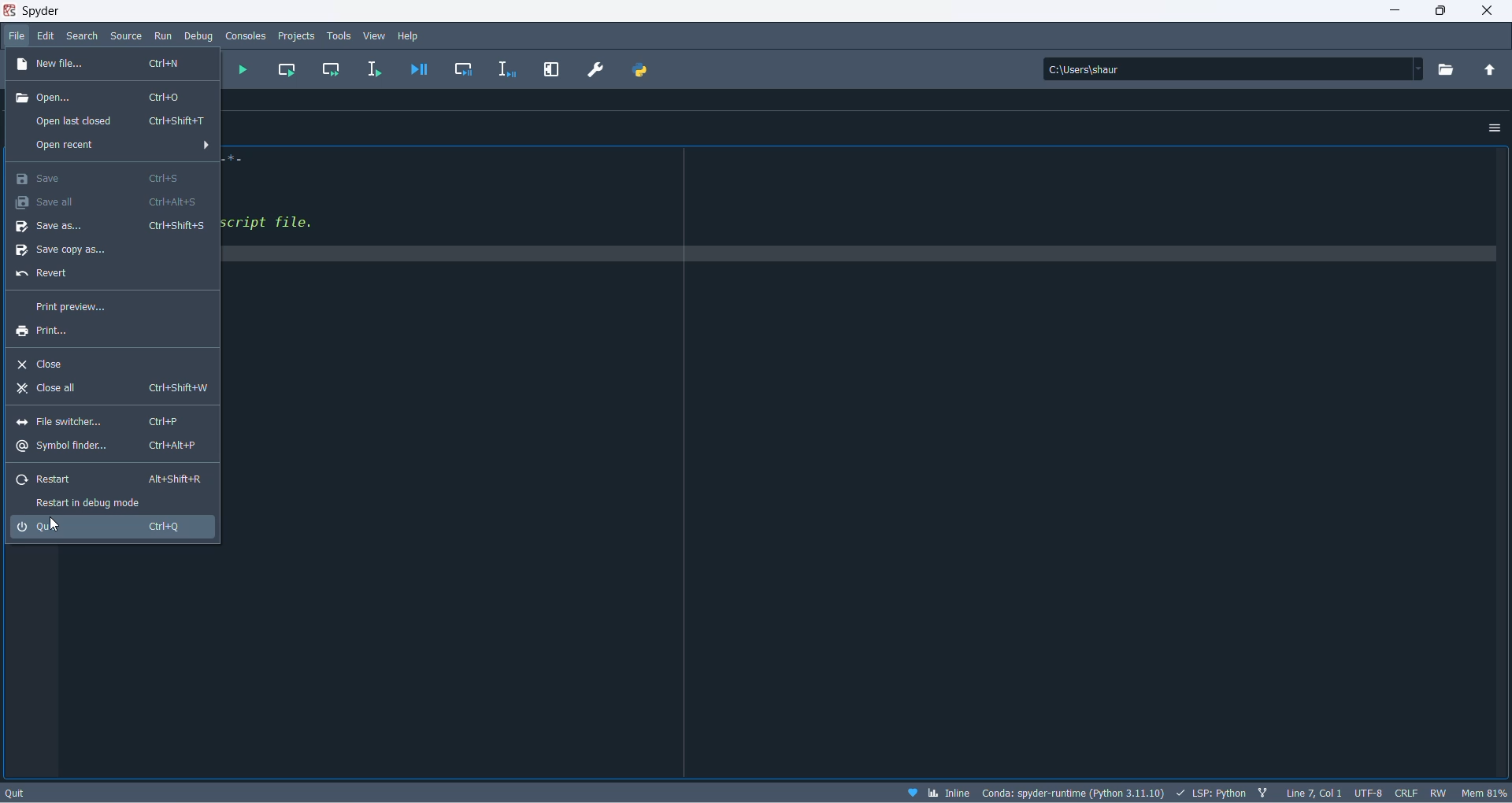 This screenshot has width=1512, height=803. Describe the element at coordinates (162, 37) in the screenshot. I see `run` at that location.